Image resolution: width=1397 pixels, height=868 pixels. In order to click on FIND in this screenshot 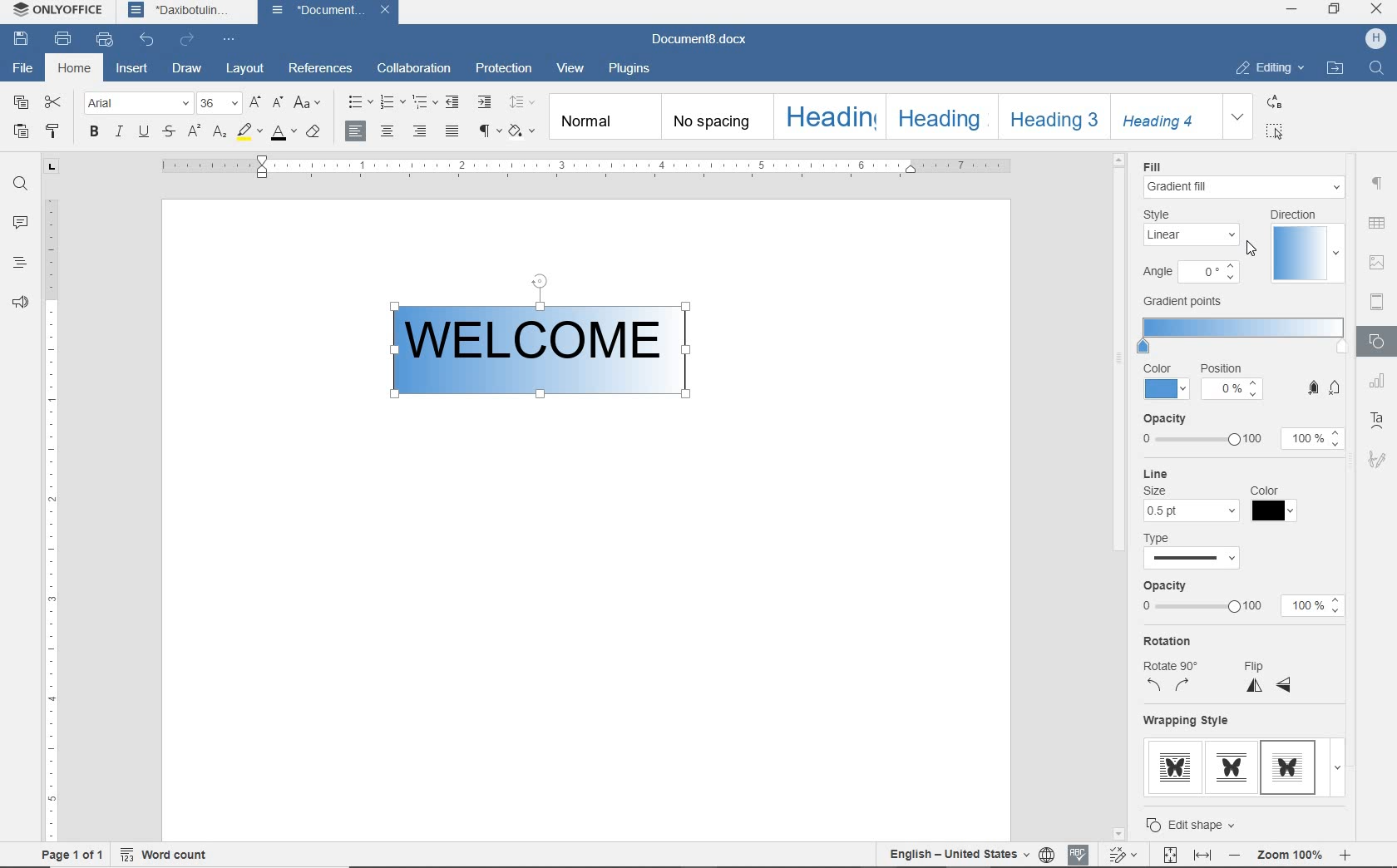, I will do `click(1375, 70)`.